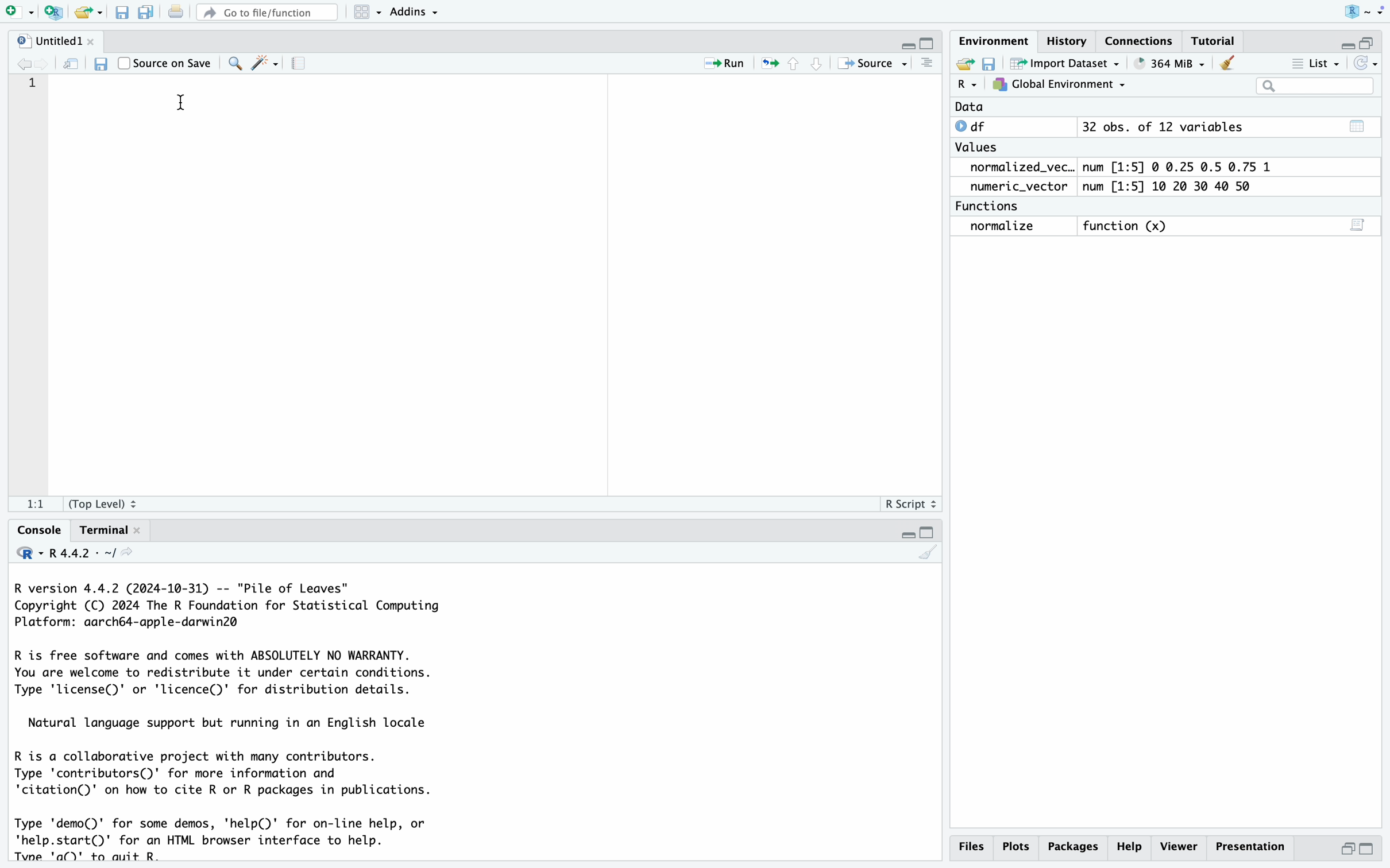  What do you see at coordinates (1129, 227) in the screenshot?
I see `function (x)` at bounding box center [1129, 227].